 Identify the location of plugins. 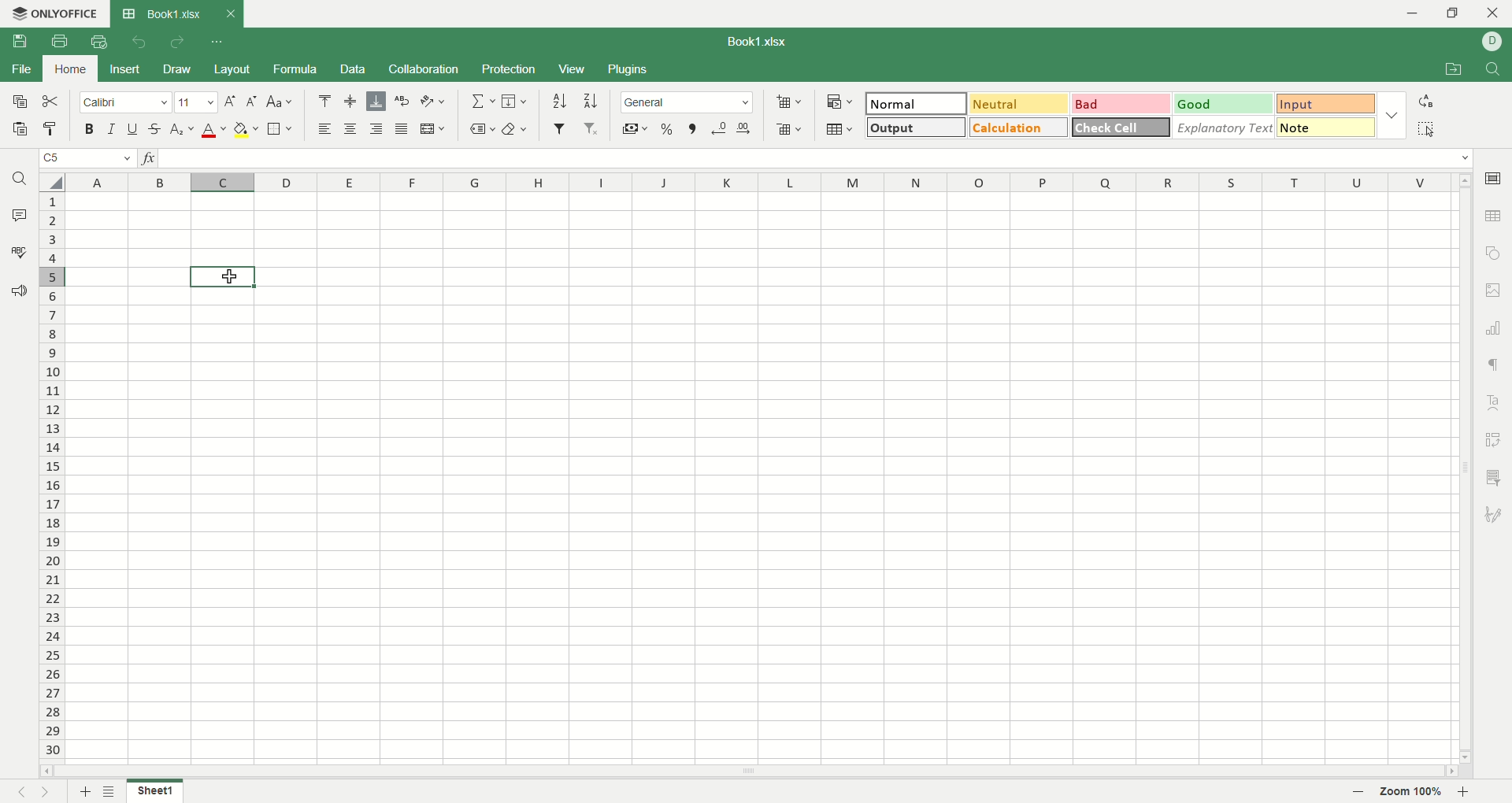
(630, 70).